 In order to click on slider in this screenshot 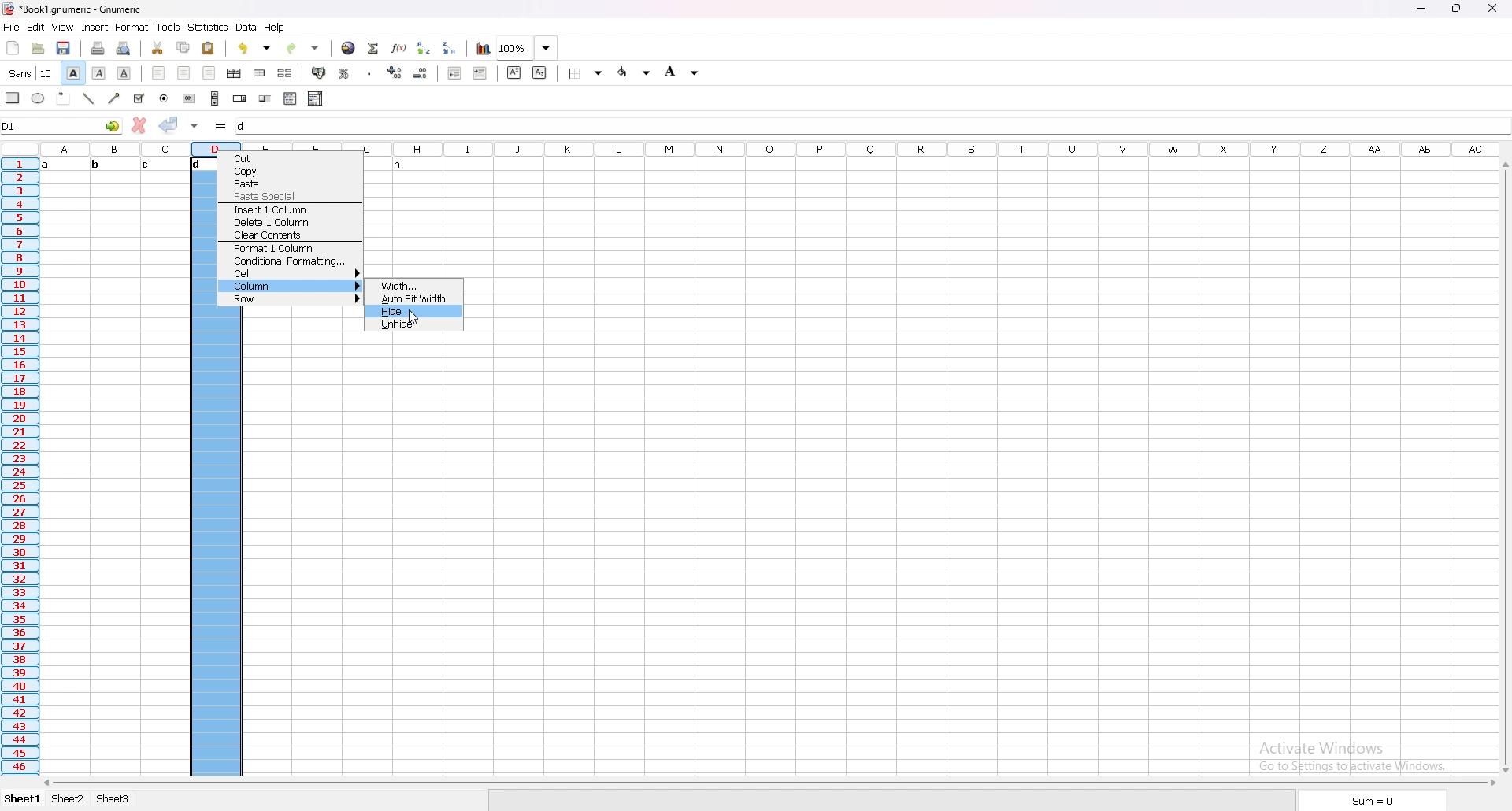, I will do `click(266, 99)`.